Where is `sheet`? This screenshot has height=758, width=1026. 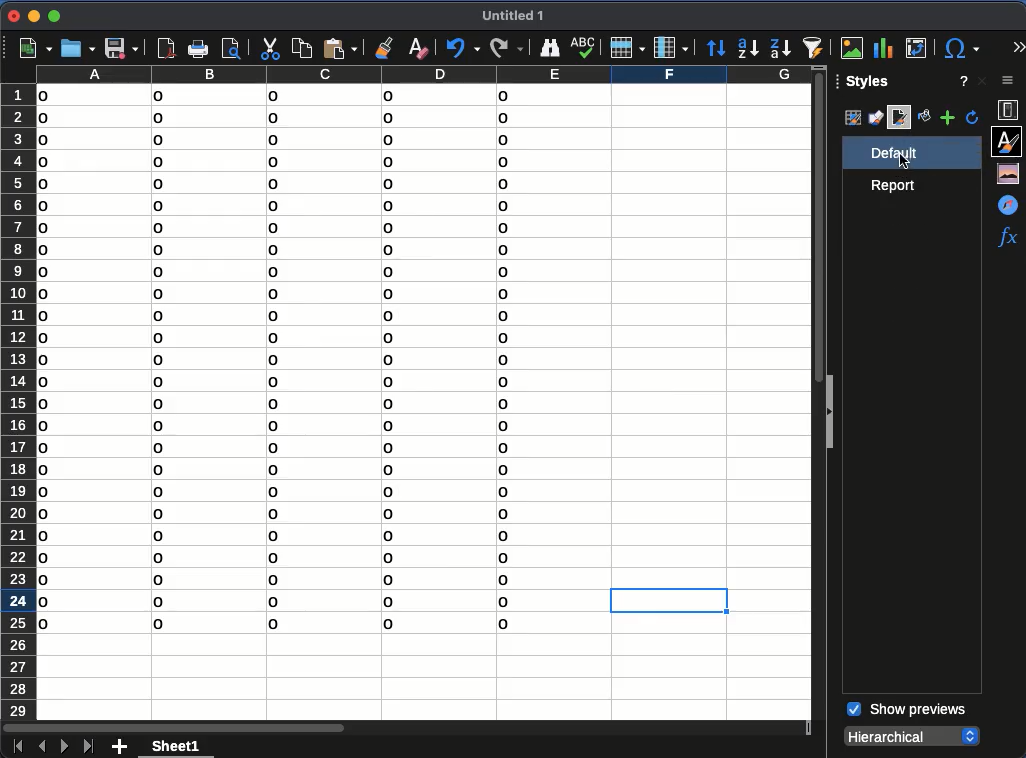 sheet is located at coordinates (178, 745).